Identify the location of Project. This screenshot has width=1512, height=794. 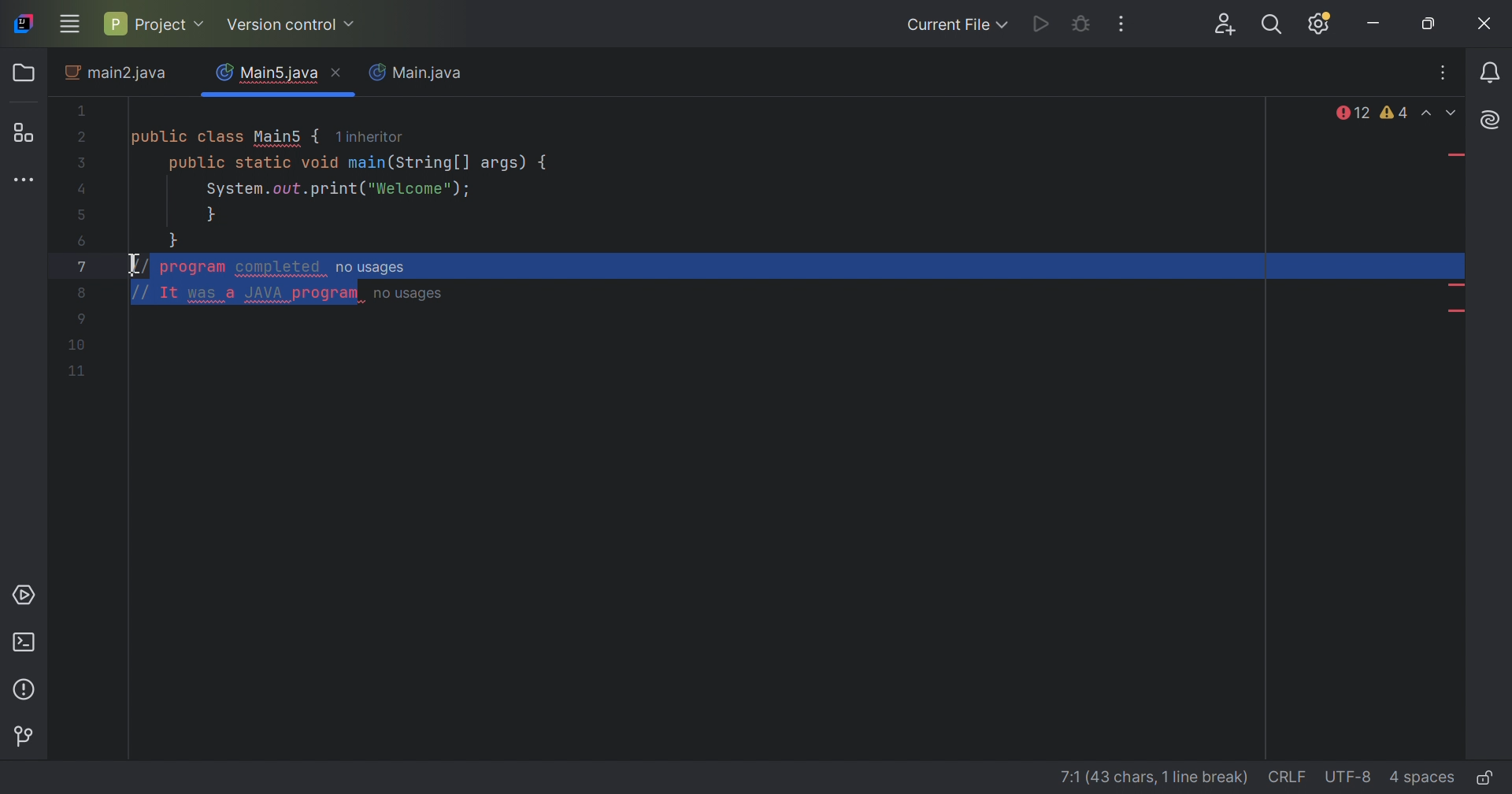
(156, 21).